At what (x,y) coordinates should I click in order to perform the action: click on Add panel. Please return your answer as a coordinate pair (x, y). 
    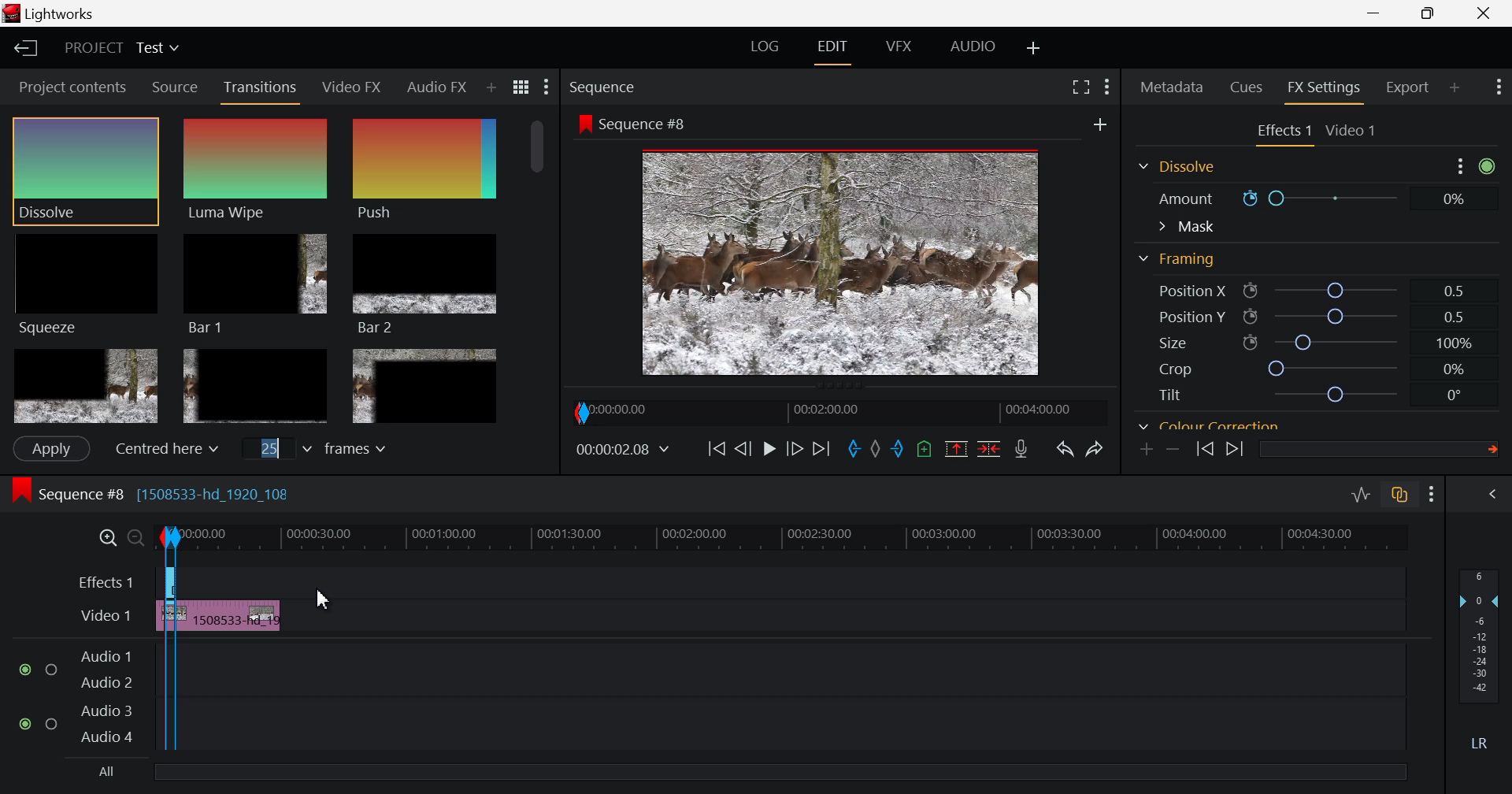
    Looking at the image, I should click on (1455, 90).